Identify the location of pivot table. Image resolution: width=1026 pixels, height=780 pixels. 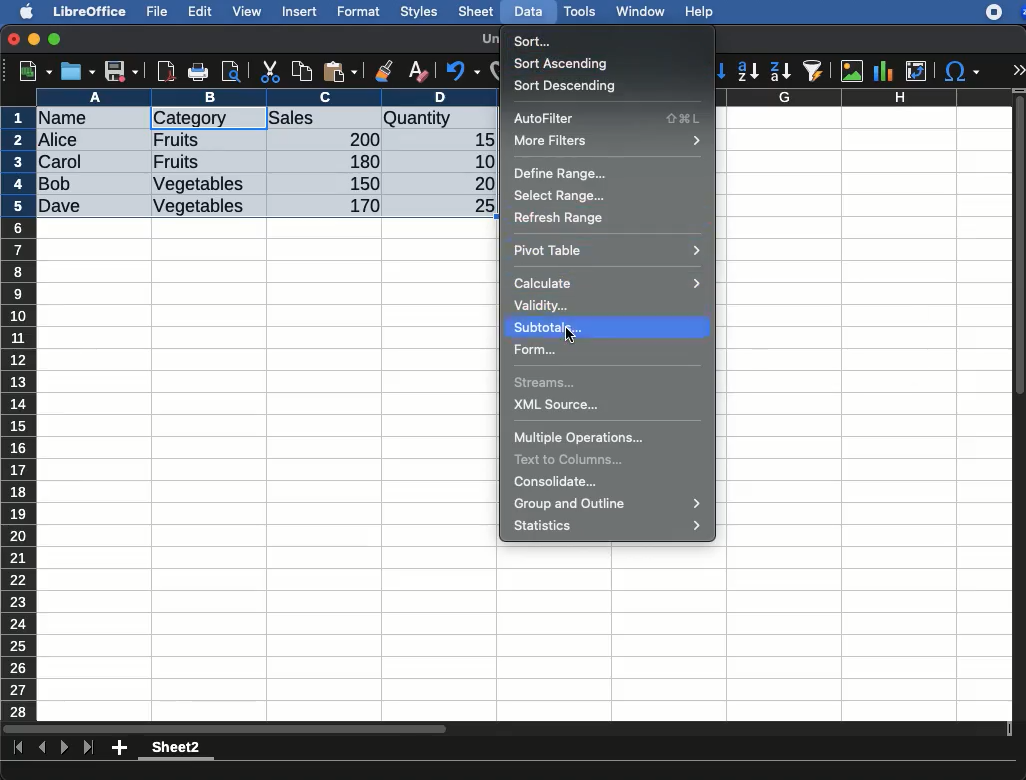
(608, 249).